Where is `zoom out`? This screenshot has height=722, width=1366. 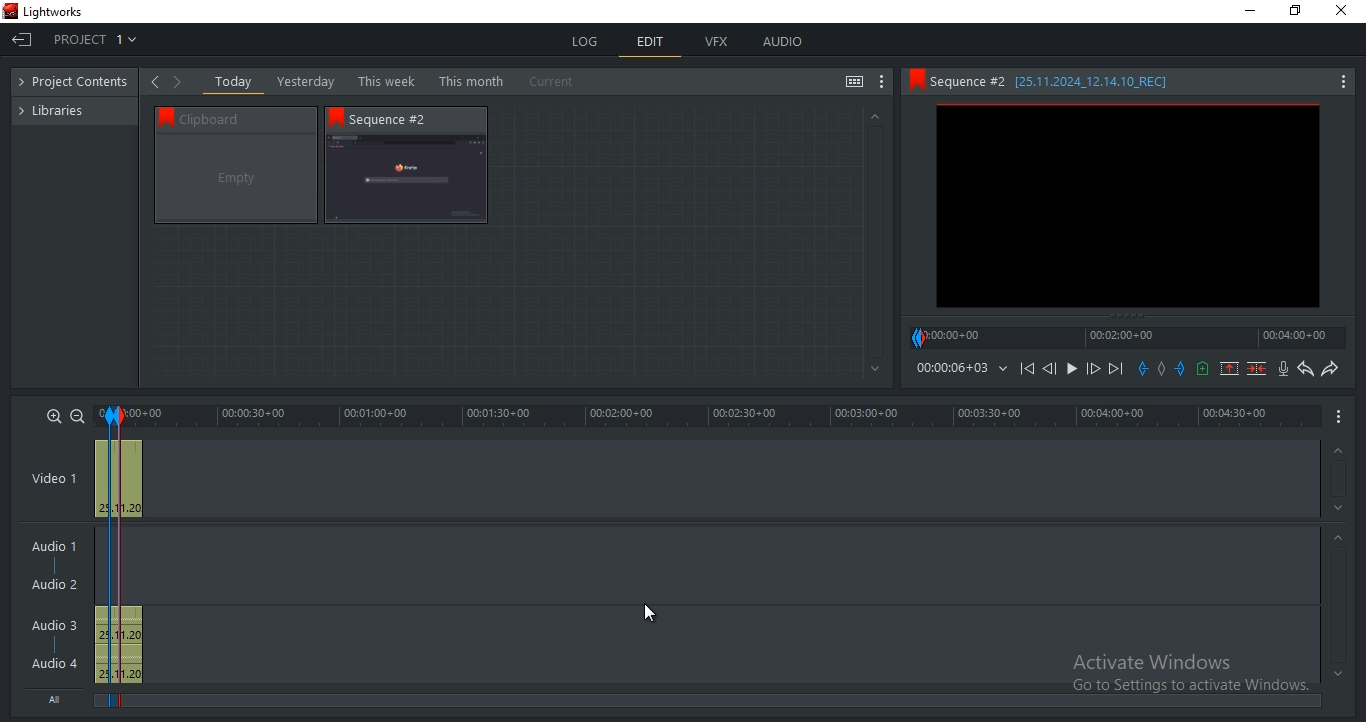
zoom out is located at coordinates (77, 416).